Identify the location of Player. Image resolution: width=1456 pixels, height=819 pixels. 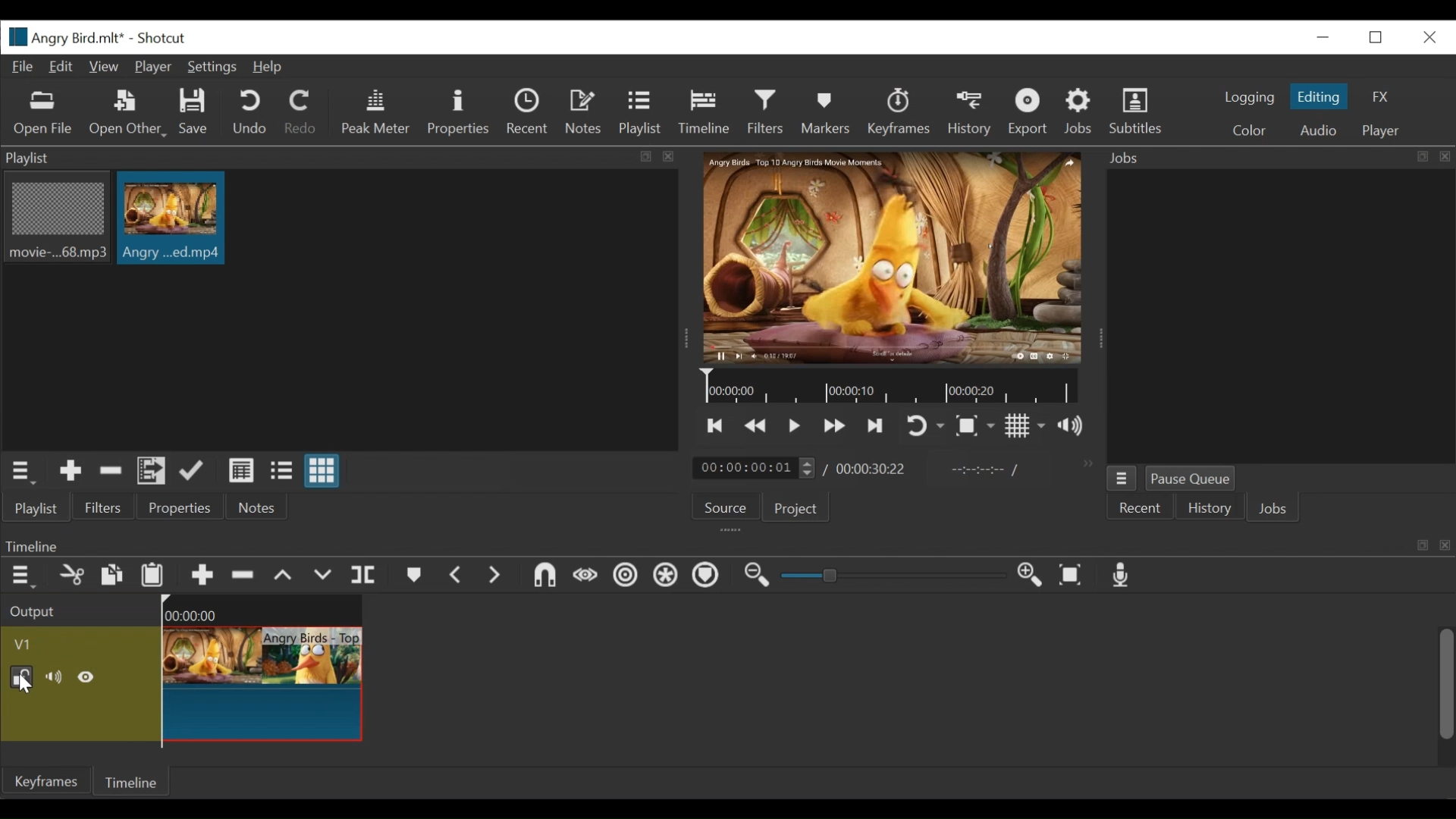
(1380, 132).